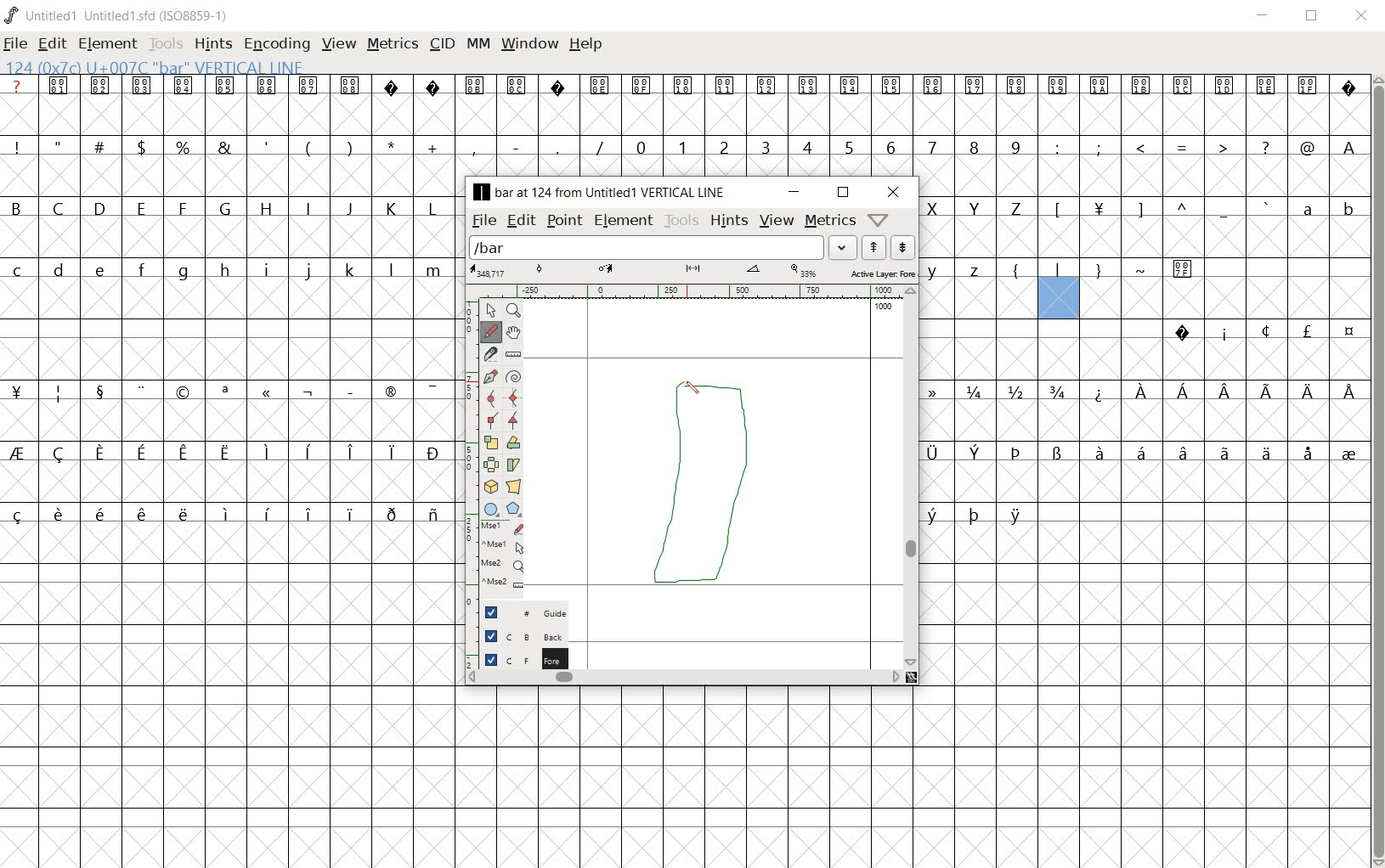  What do you see at coordinates (975, 514) in the screenshot?
I see `special letters` at bounding box center [975, 514].